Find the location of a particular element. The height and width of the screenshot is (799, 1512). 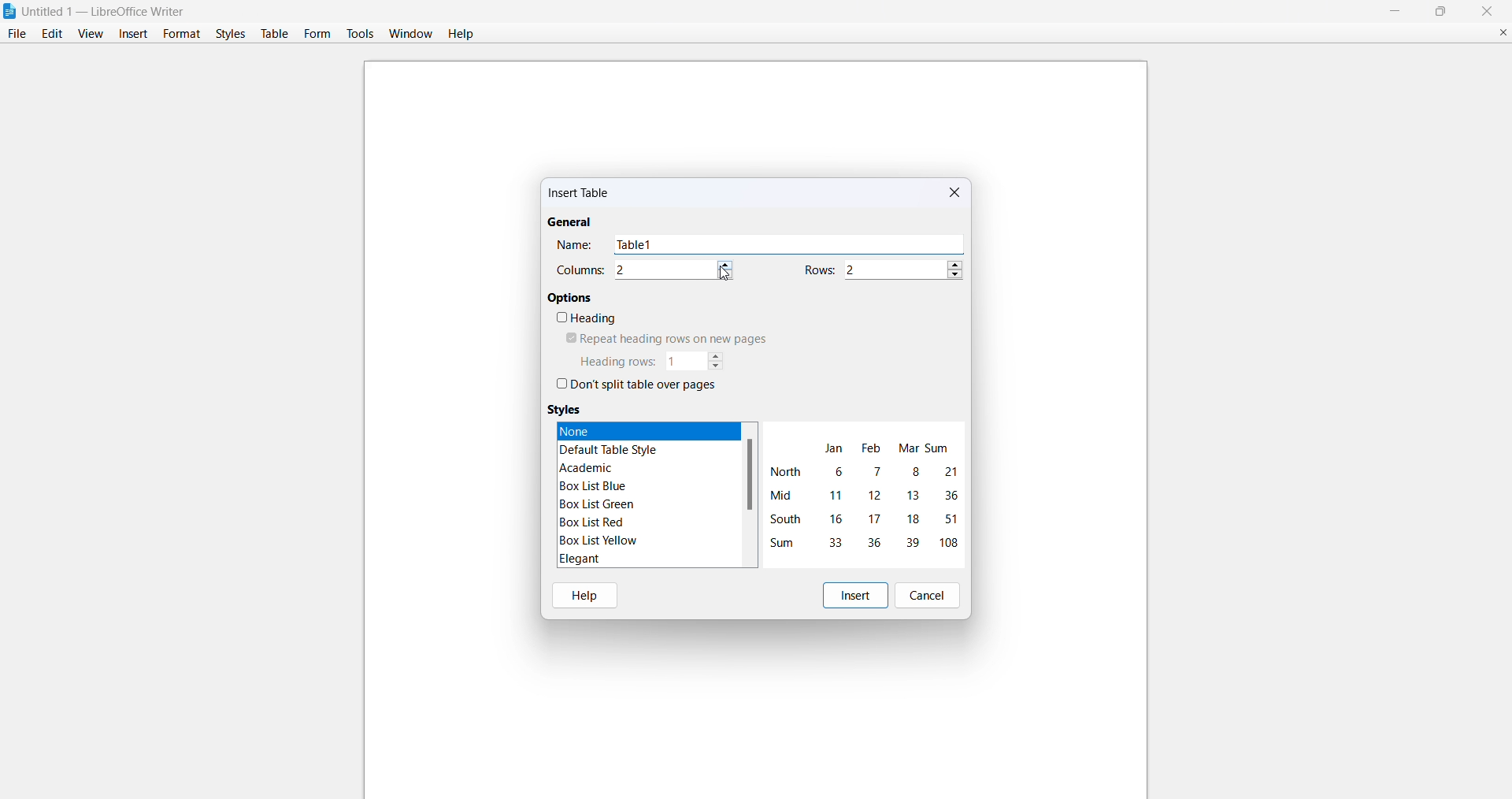

default table style is located at coordinates (614, 449).